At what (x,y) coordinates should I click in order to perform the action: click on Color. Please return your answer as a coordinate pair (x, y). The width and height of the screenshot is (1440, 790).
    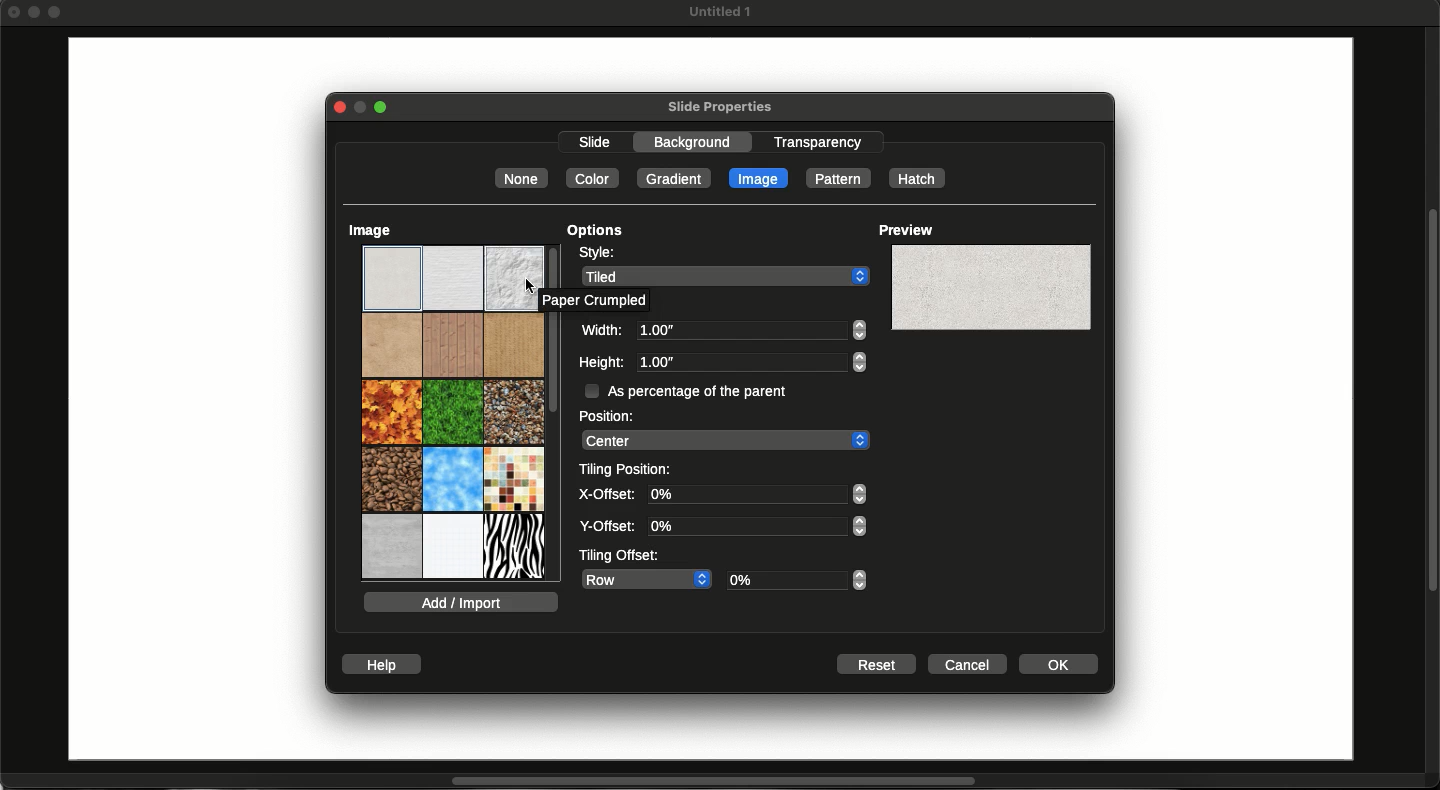
    Looking at the image, I should click on (591, 179).